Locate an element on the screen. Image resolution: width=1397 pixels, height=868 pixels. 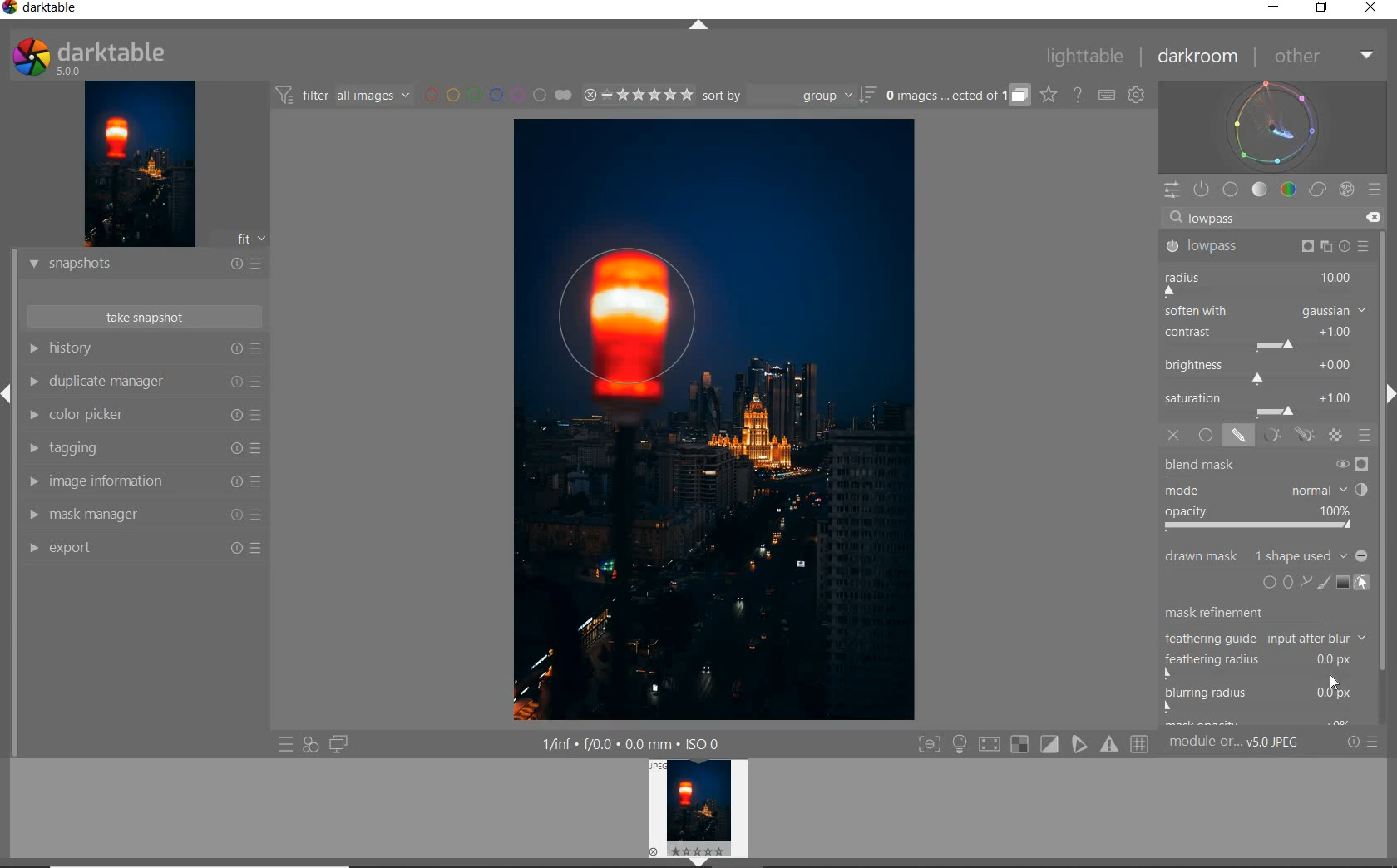
EFFECT is located at coordinates (1346, 189).